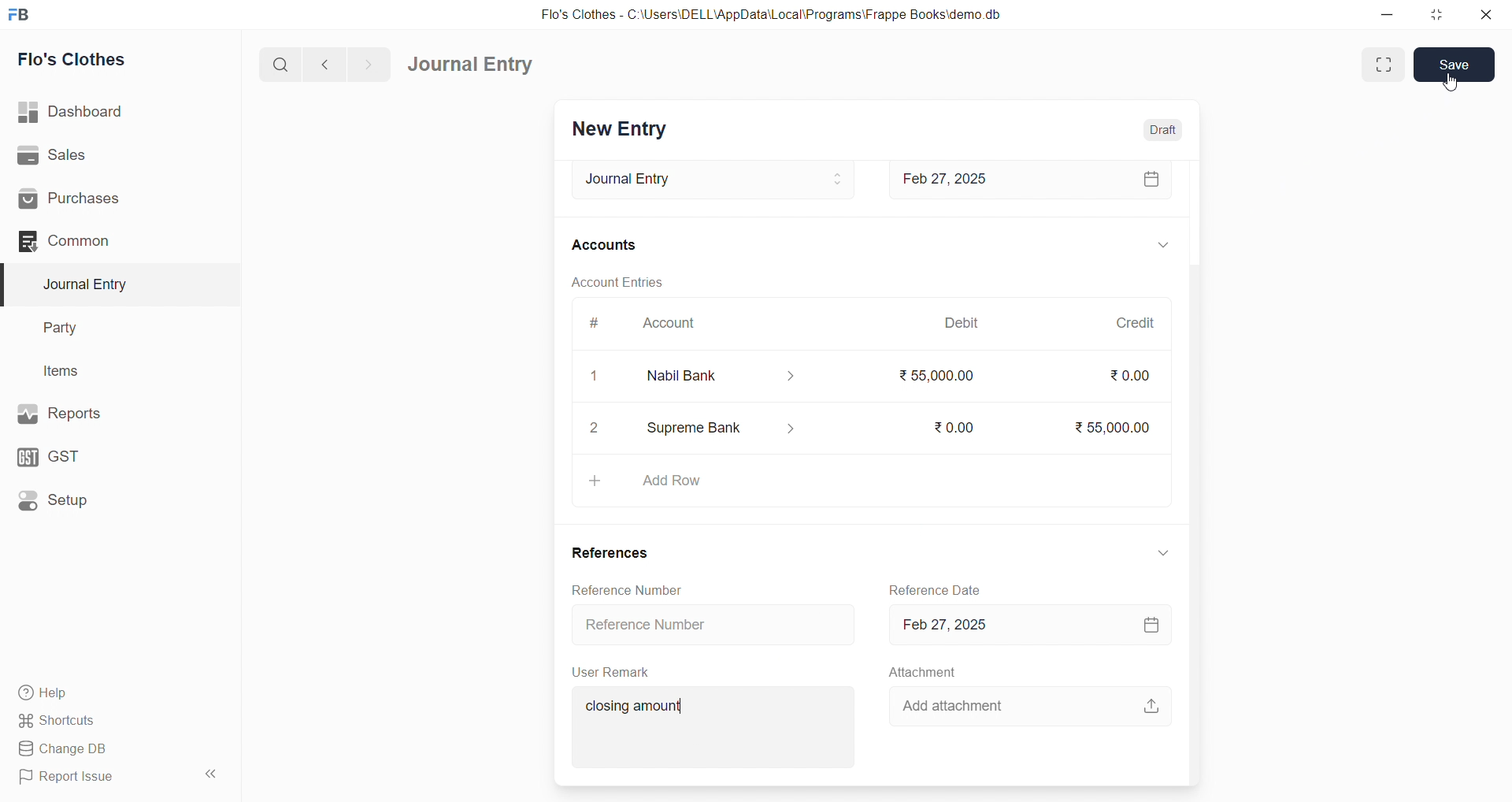 The height and width of the screenshot is (802, 1512). Describe the element at coordinates (327, 65) in the screenshot. I see `navigate backward` at that location.